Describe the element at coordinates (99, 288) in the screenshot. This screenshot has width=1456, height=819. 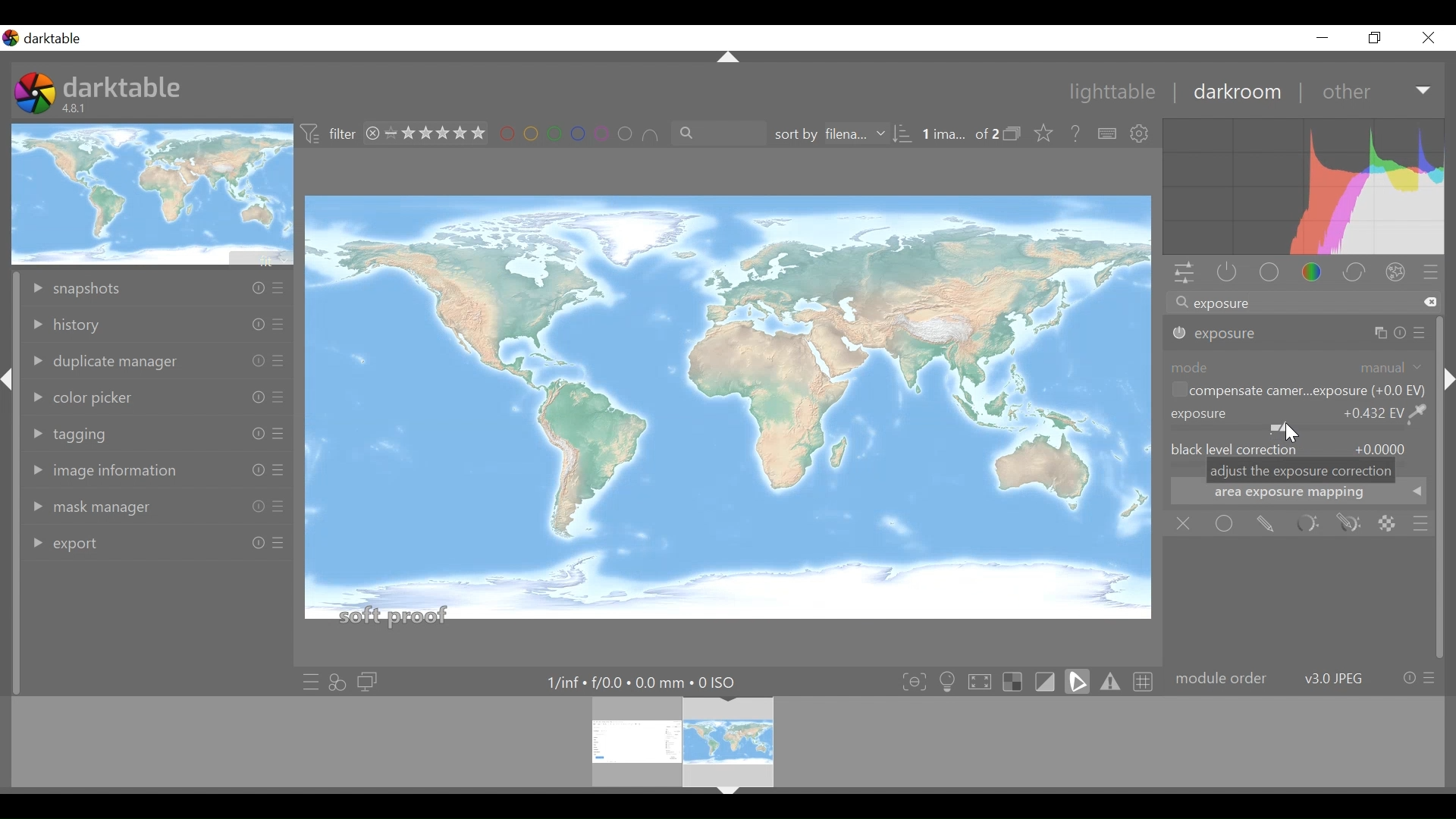
I see `snapshots` at that location.